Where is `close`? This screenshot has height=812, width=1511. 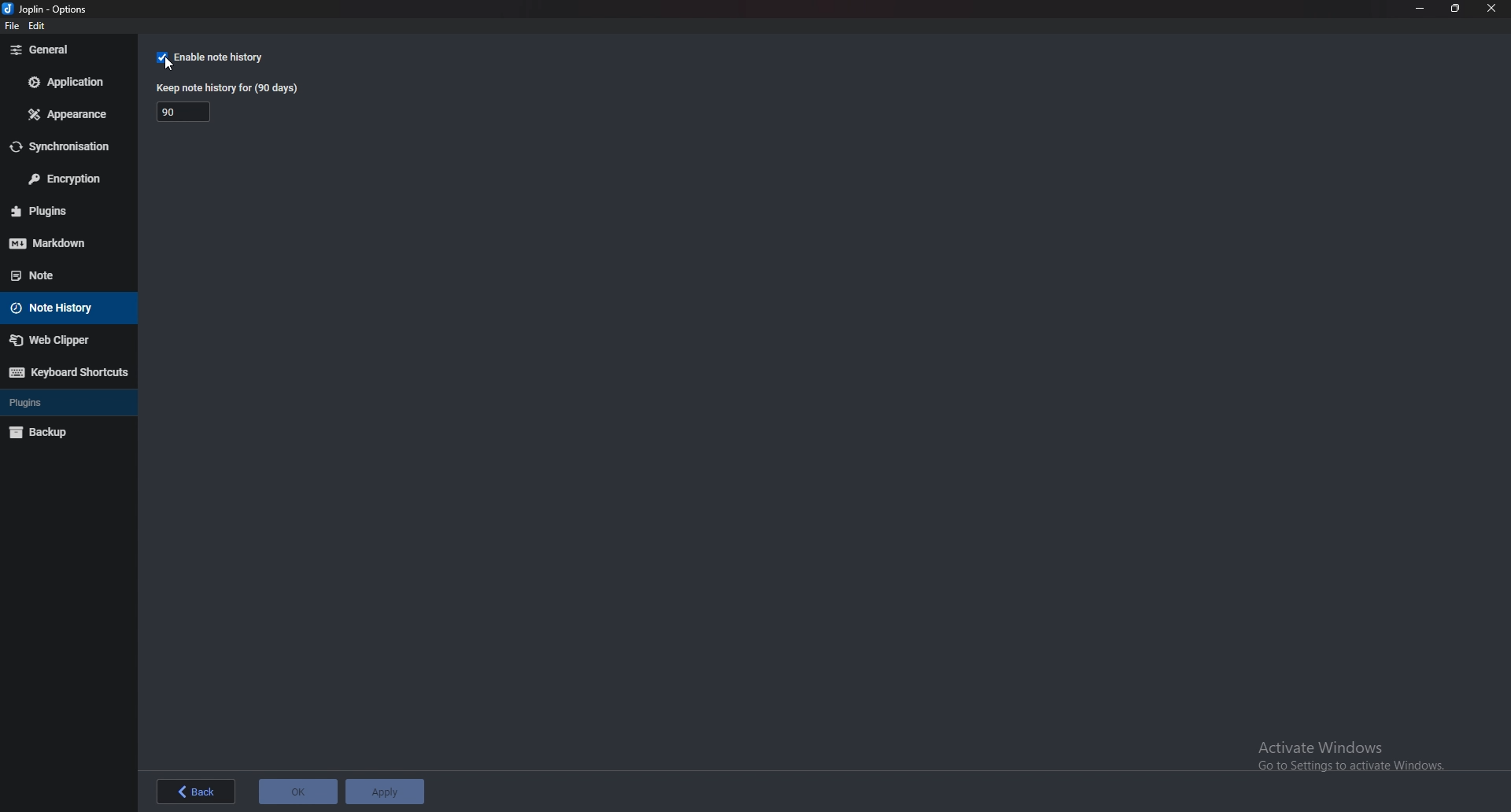 close is located at coordinates (1489, 9).